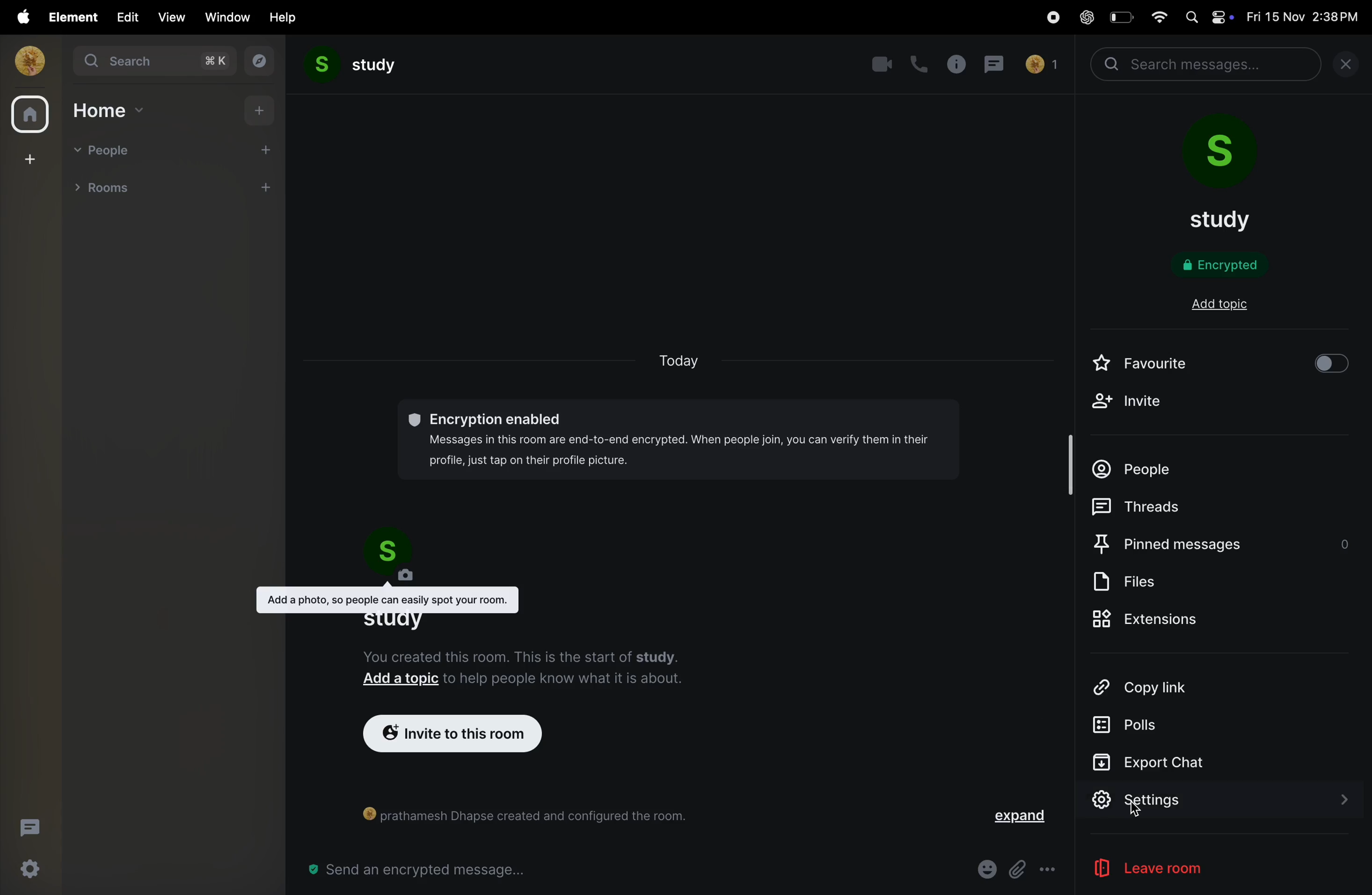 The image size is (1372, 895). Describe the element at coordinates (391, 620) in the screenshot. I see `study` at that location.